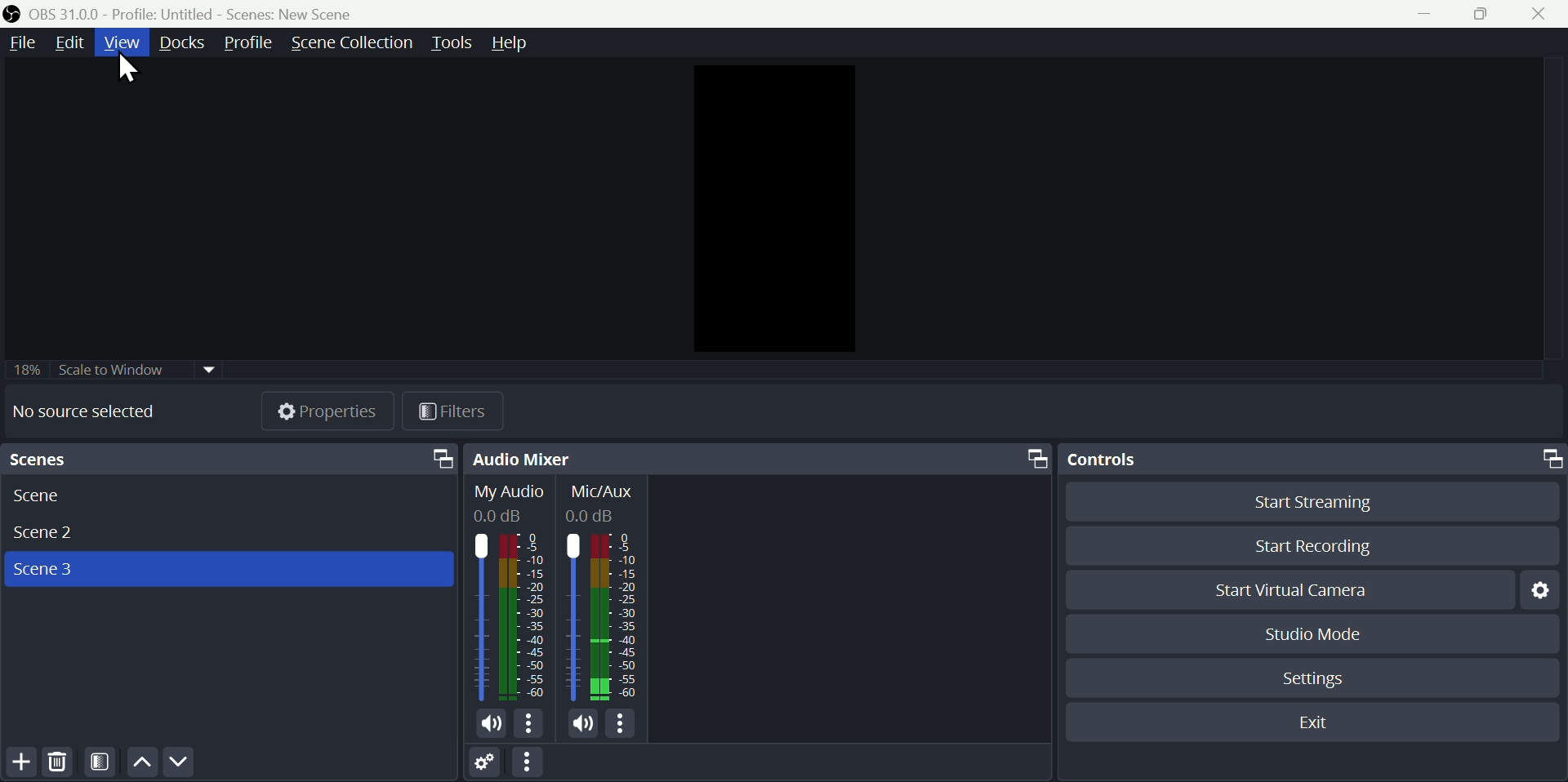  Describe the element at coordinates (1424, 13) in the screenshot. I see `` at that location.